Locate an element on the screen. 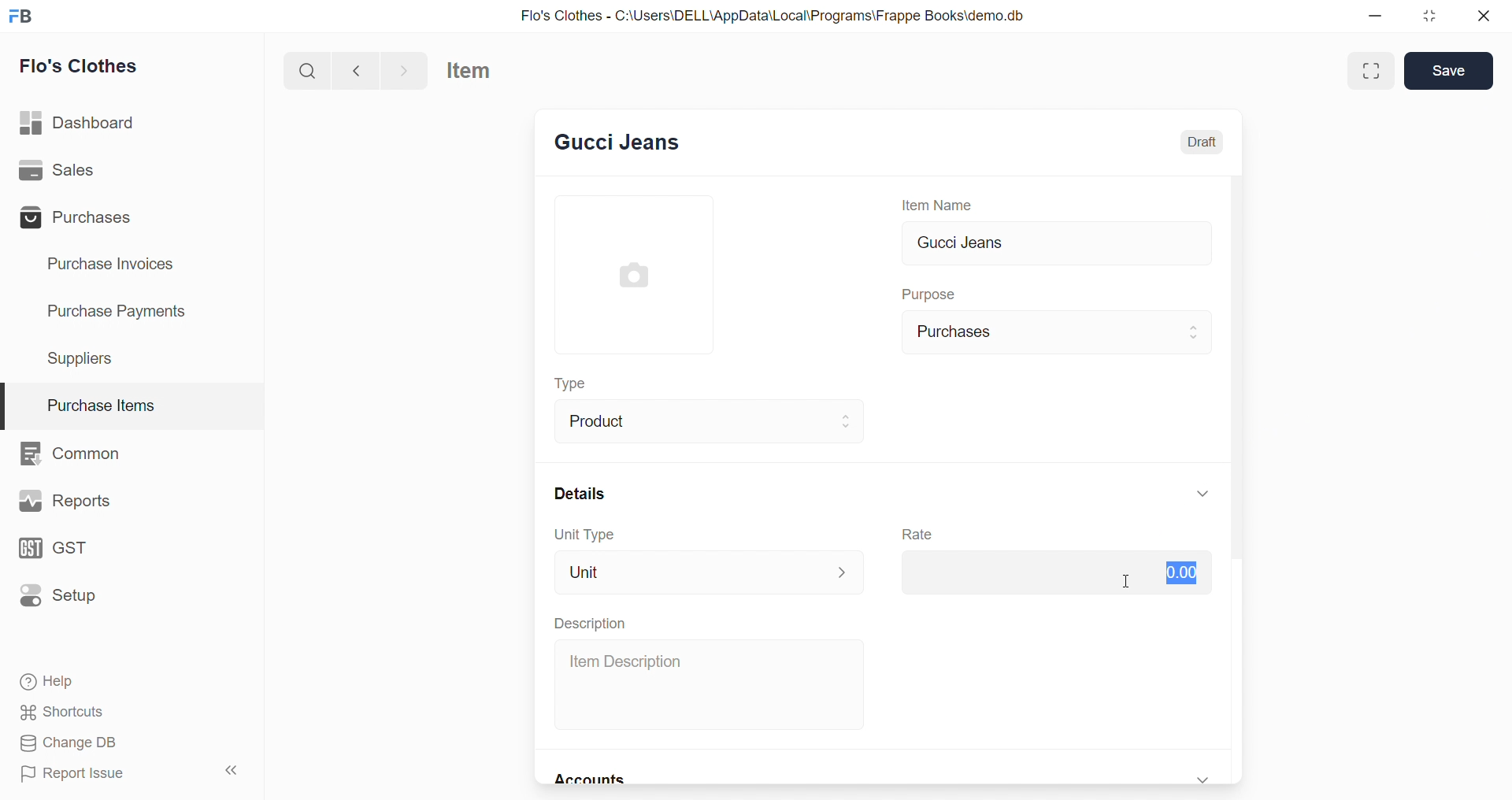 The width and height of the screenshot is (1512, 800). Dashboard is located at coordinates (84, 120).